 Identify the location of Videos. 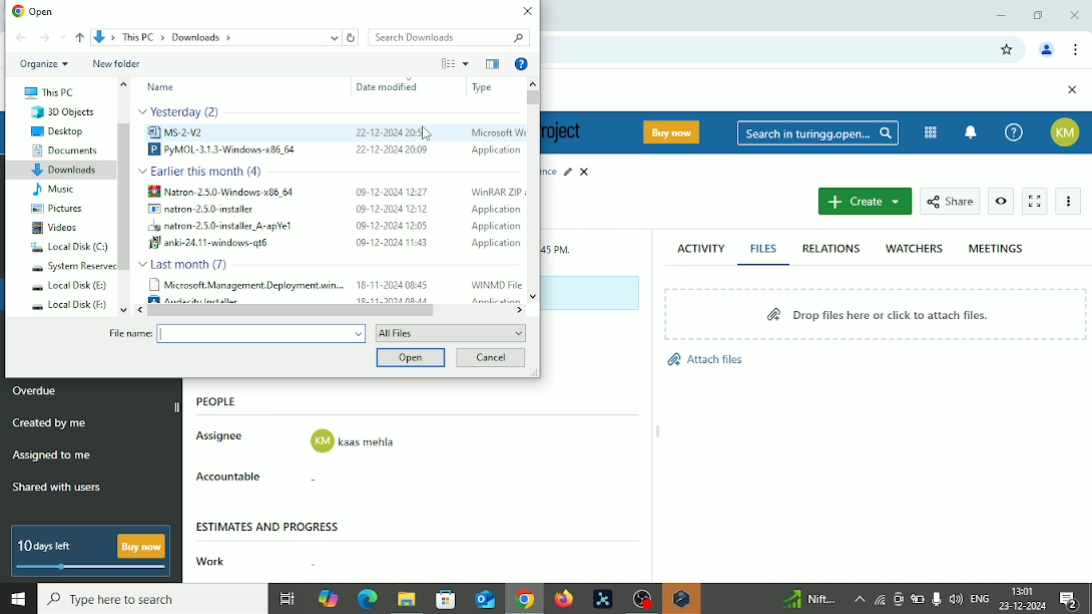
(55, 228).